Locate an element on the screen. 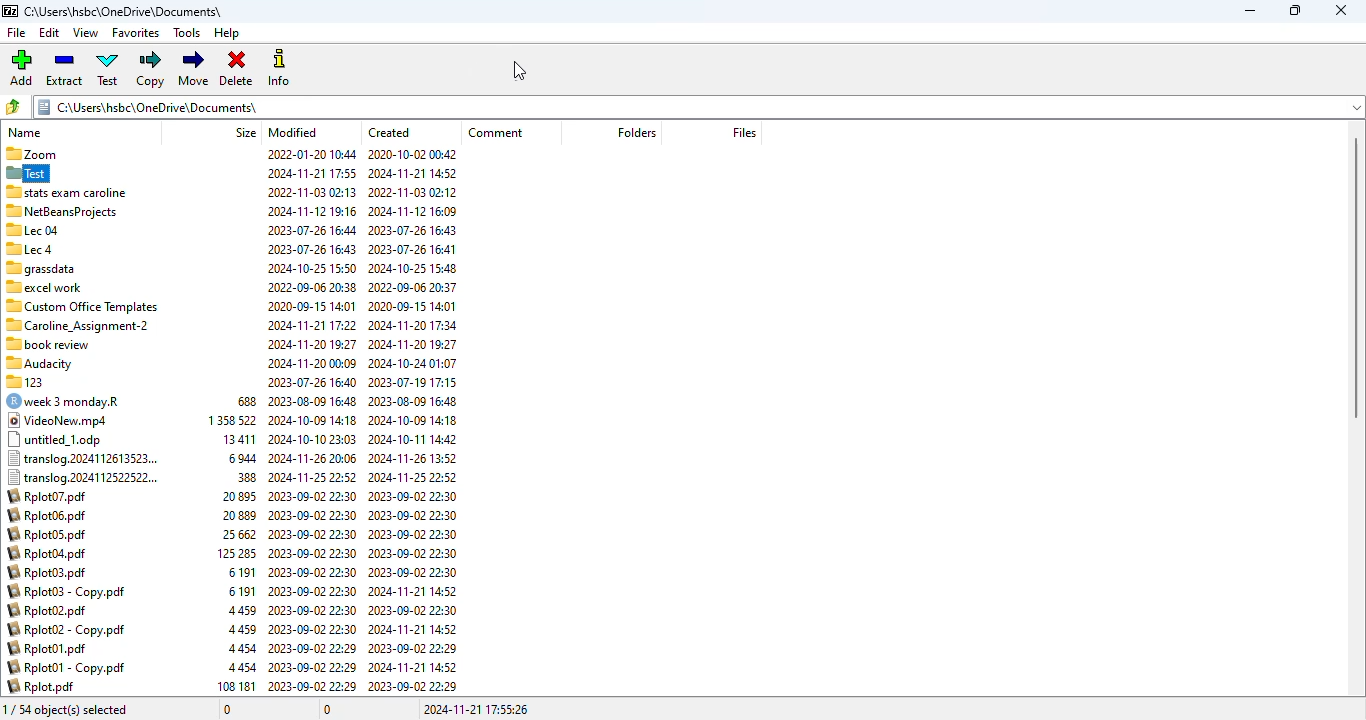 Image resolution: width=1366 pixels, height=720 pixels. files is located at coordinates (744, 132).